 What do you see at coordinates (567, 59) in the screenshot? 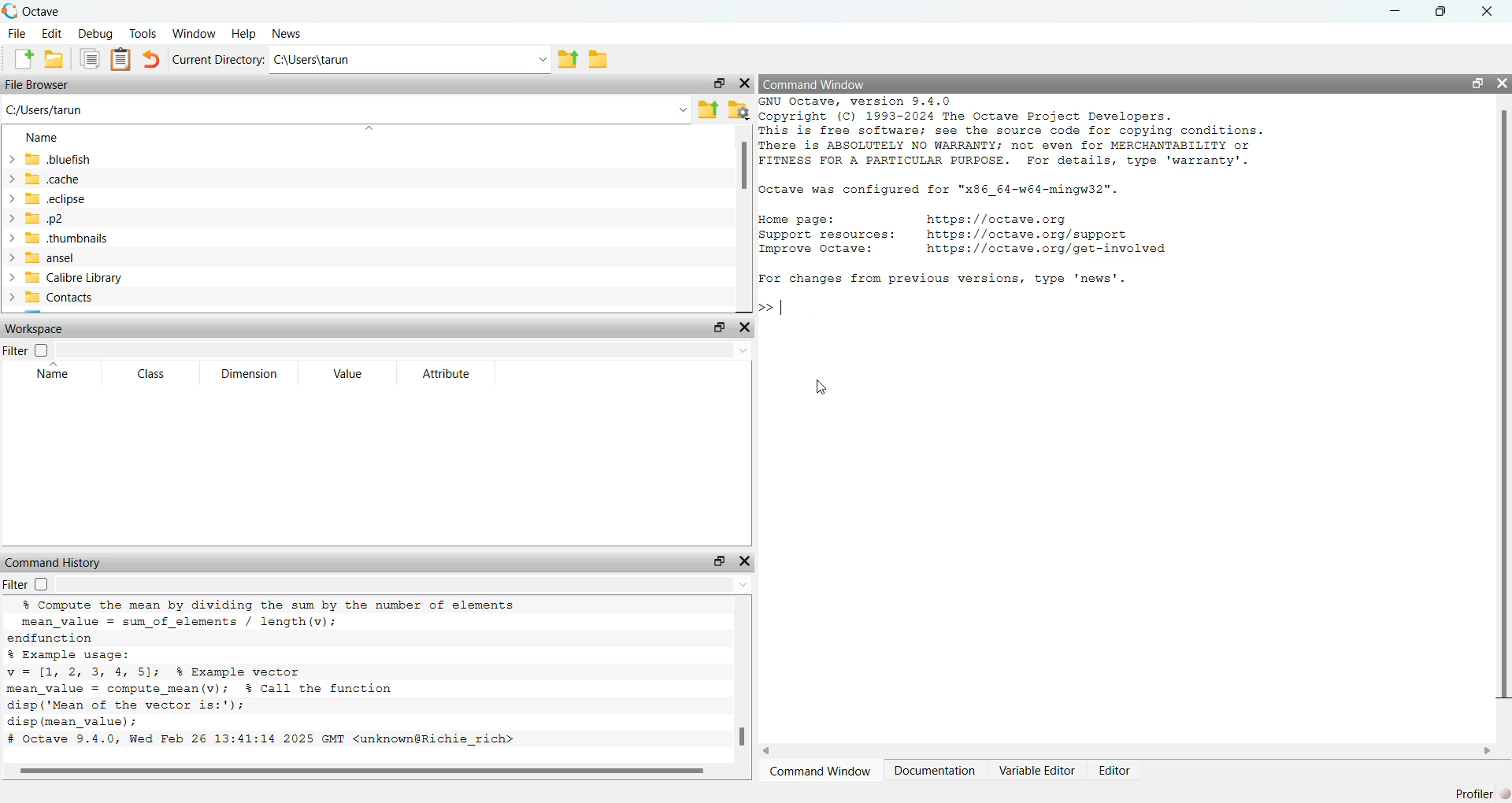
I see `share folder` at bounding box center [567, 59].